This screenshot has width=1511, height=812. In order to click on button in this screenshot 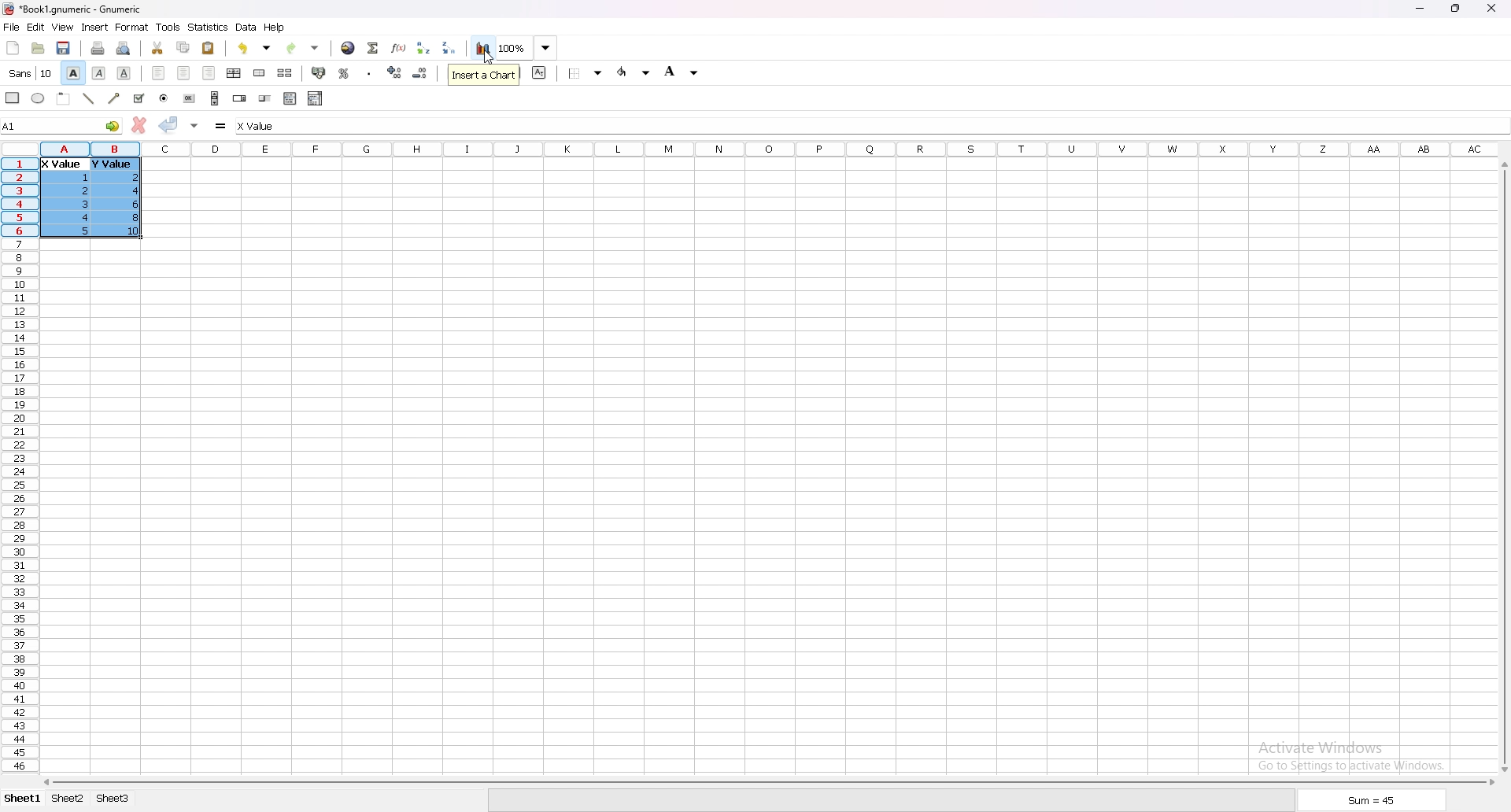, I will do `click(189, 98)`.